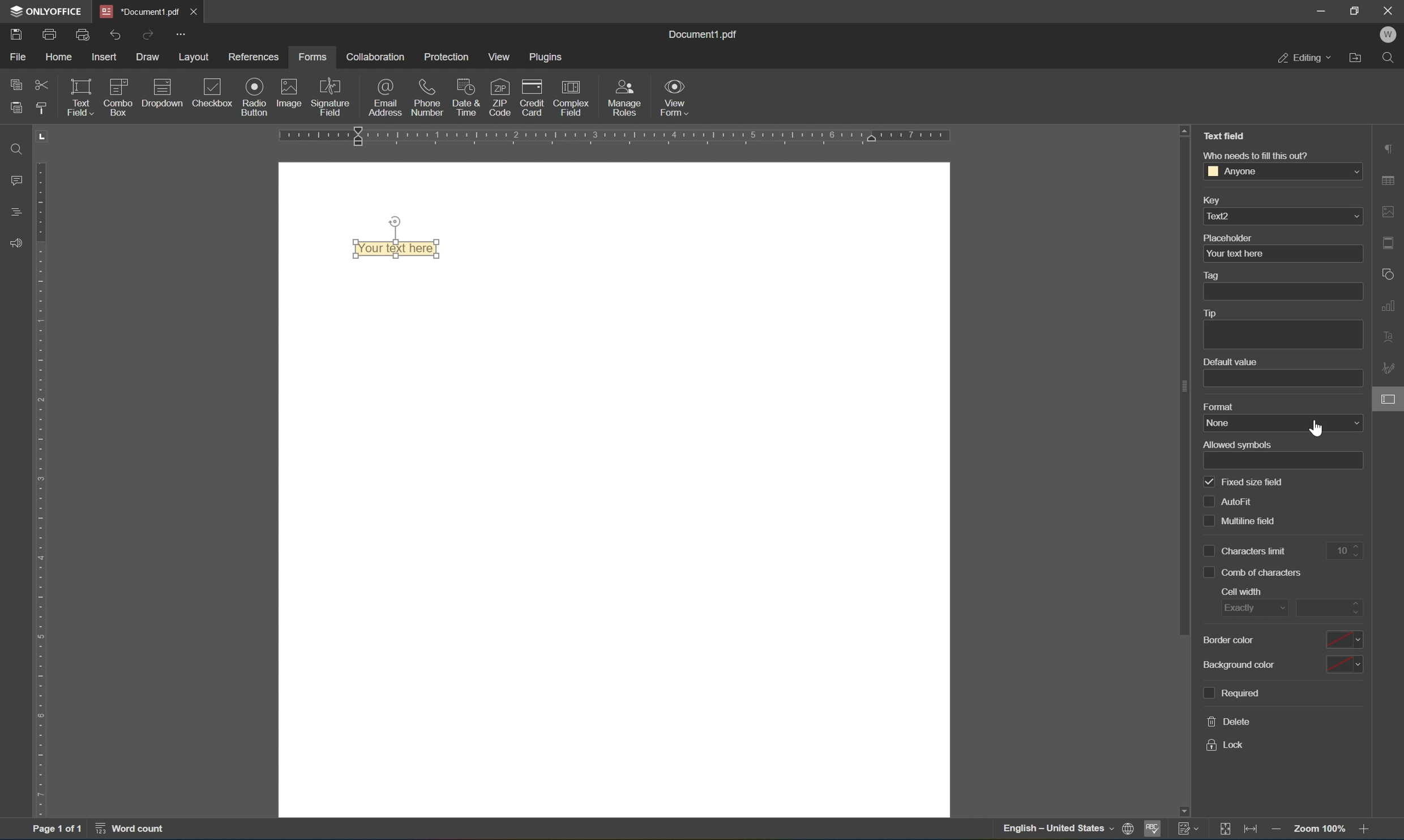  I want to click on headings, so click(11, 211).